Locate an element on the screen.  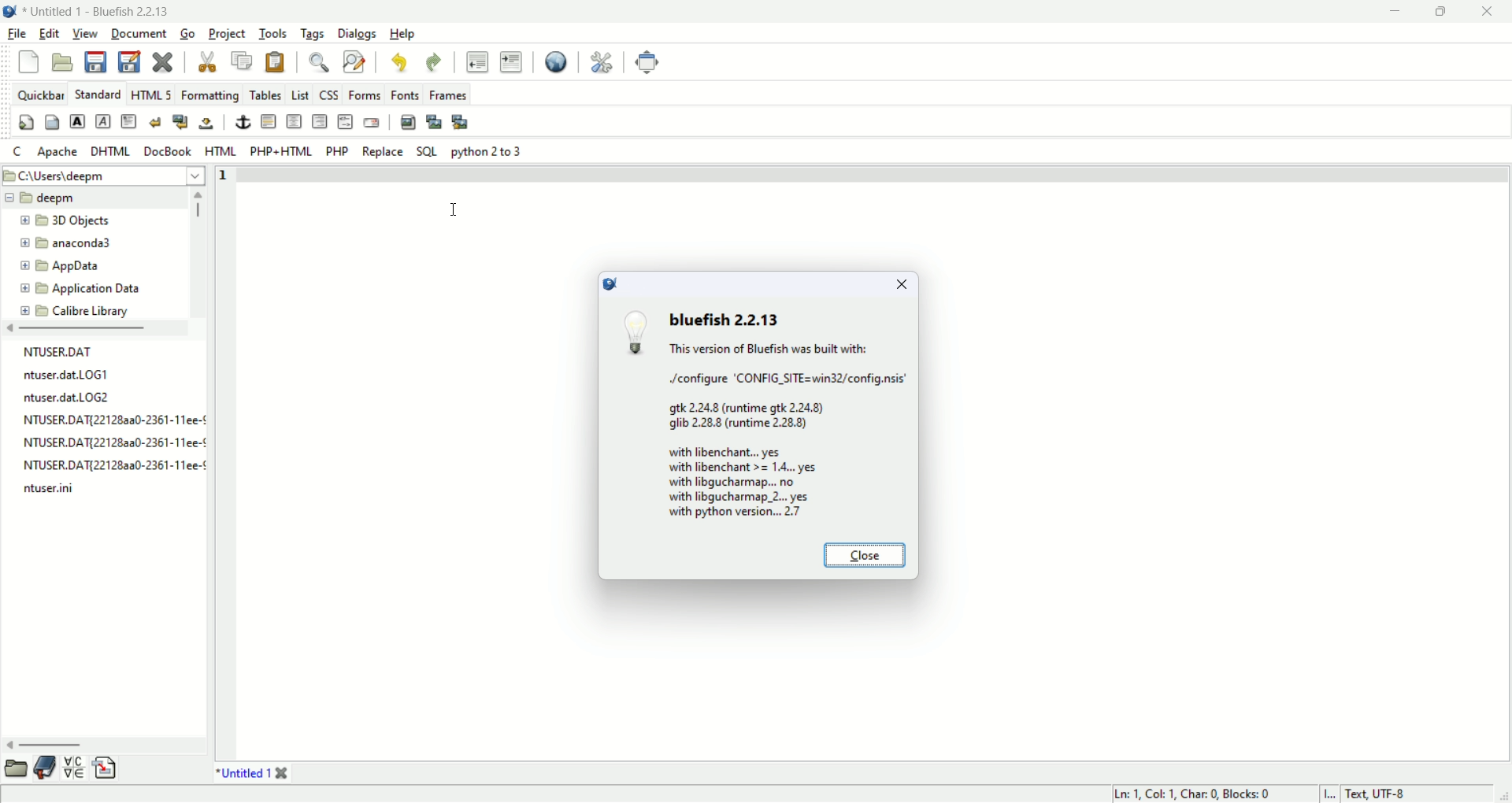
snippets is located at coordinates (106, 768).